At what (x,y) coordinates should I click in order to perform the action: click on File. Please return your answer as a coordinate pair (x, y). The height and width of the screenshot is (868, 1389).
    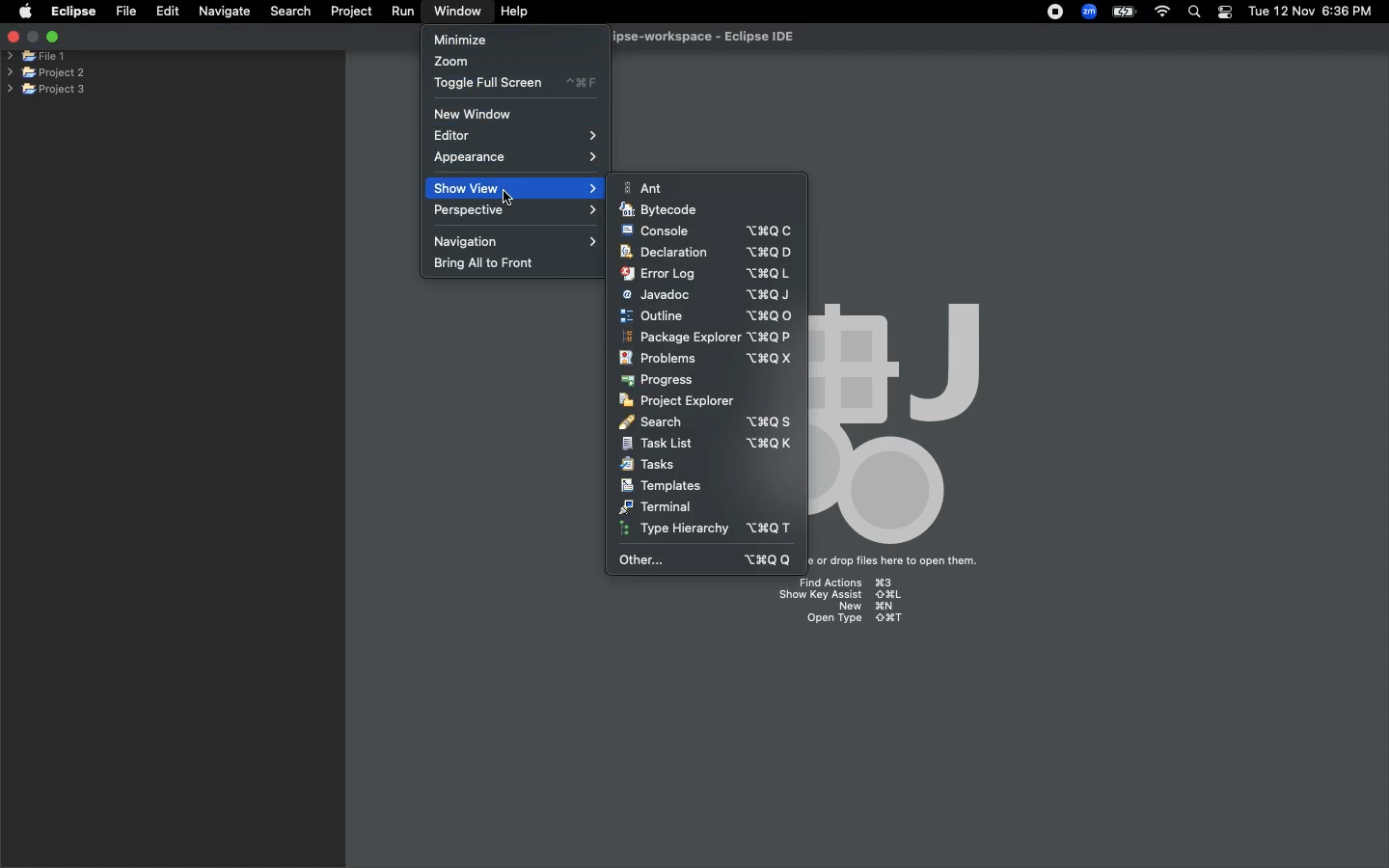
    Looking at the image, I should click on (124, 12).